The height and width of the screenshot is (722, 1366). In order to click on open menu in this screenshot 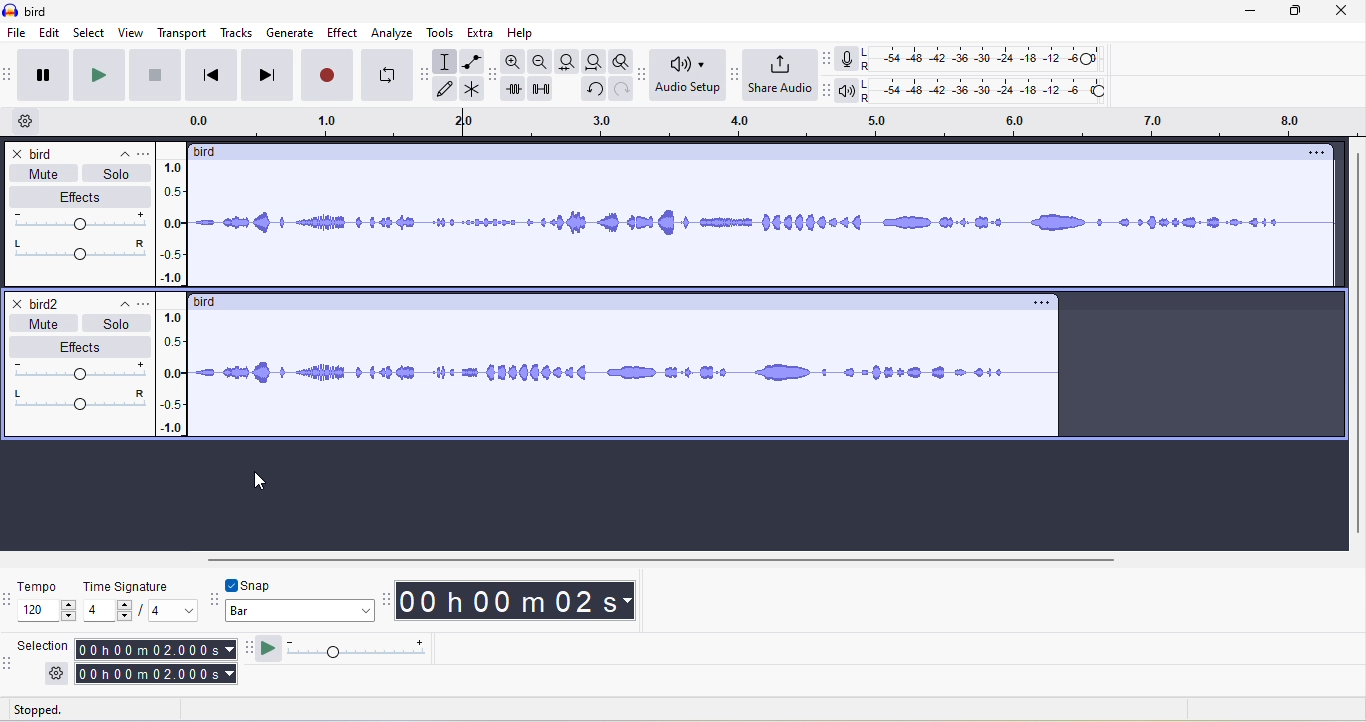, I will do `click(1324, 153)`.